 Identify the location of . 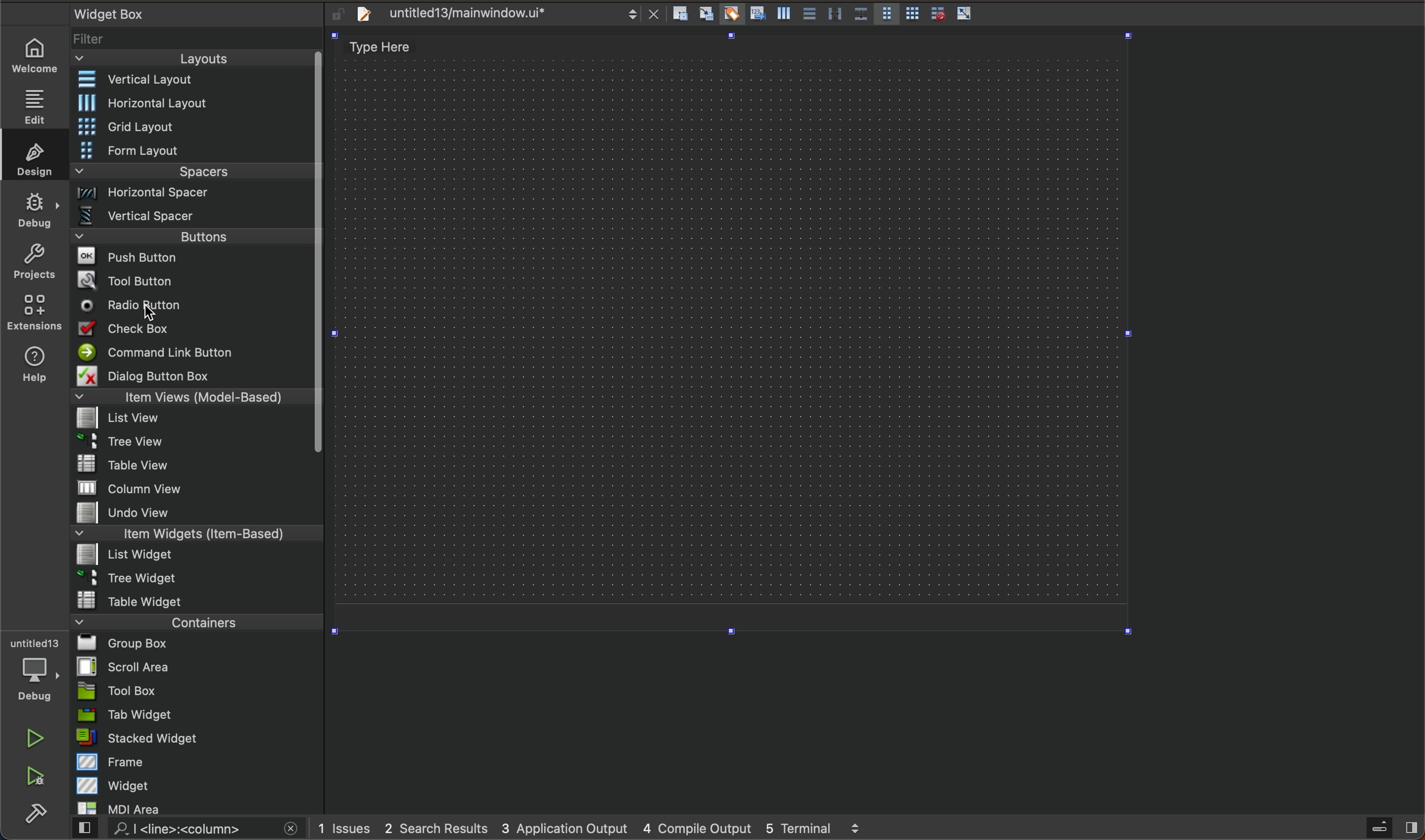
(190, 445).